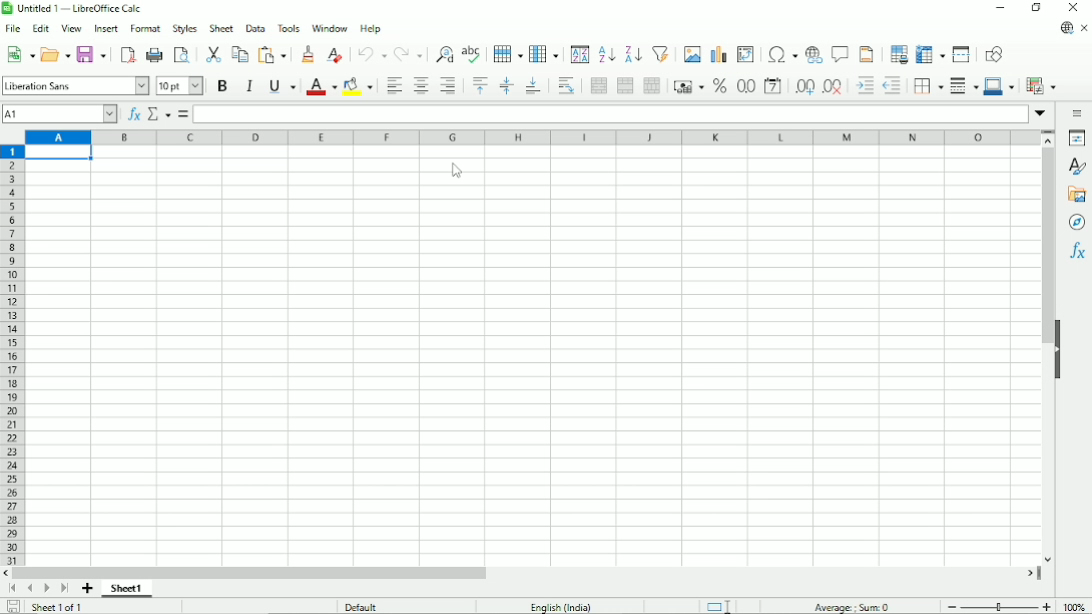 Image resolution: width=1092 pixels, height=614 pixels. What do you see at coordinates (1037, 9) in the screenshot?
I see `Restore down` at bounding box center [1037, 9].